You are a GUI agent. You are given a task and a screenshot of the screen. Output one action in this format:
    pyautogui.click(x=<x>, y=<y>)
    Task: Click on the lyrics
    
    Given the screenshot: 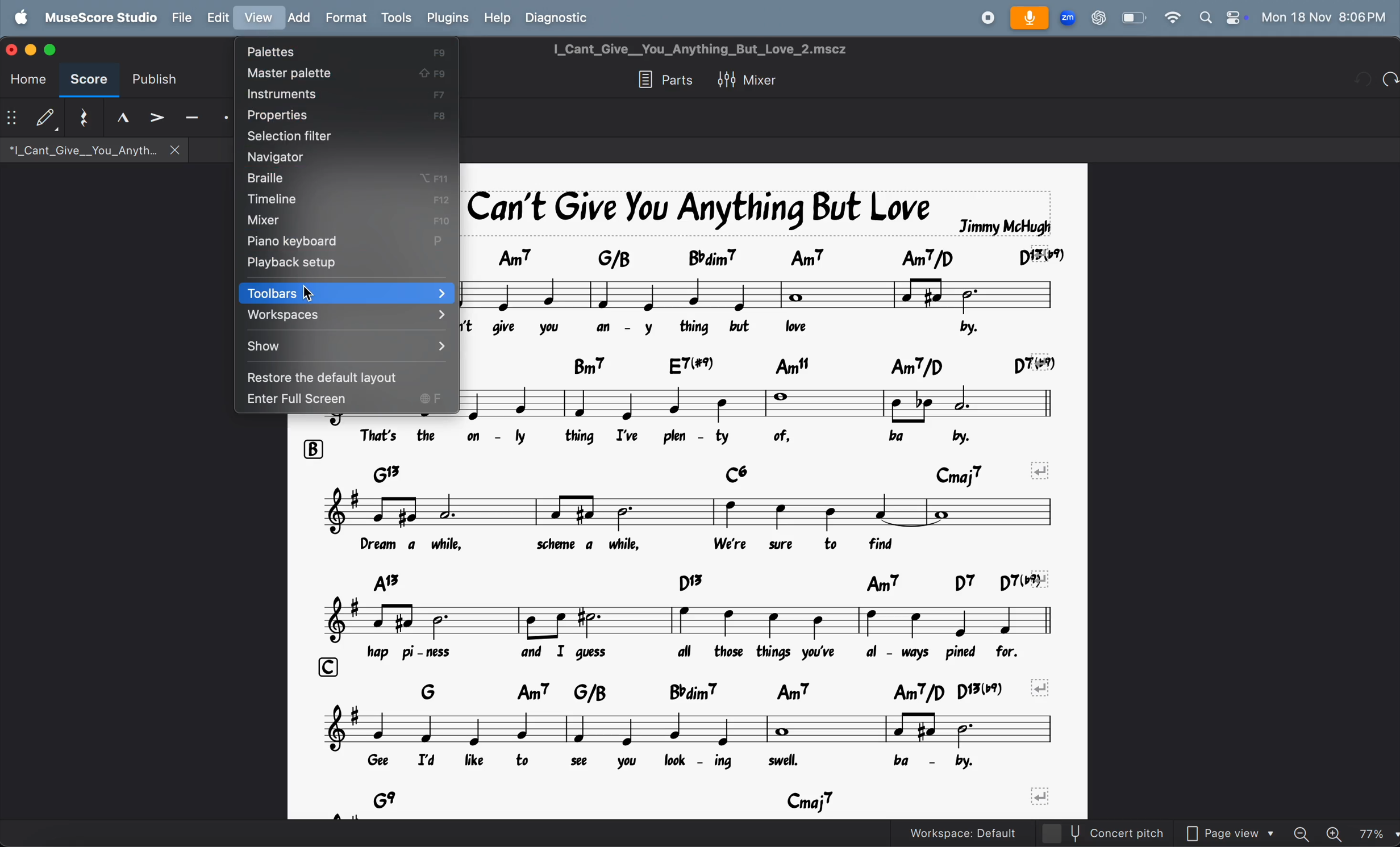 What is the action you would take?
    pyautogui.click(x=681, y=545)
    